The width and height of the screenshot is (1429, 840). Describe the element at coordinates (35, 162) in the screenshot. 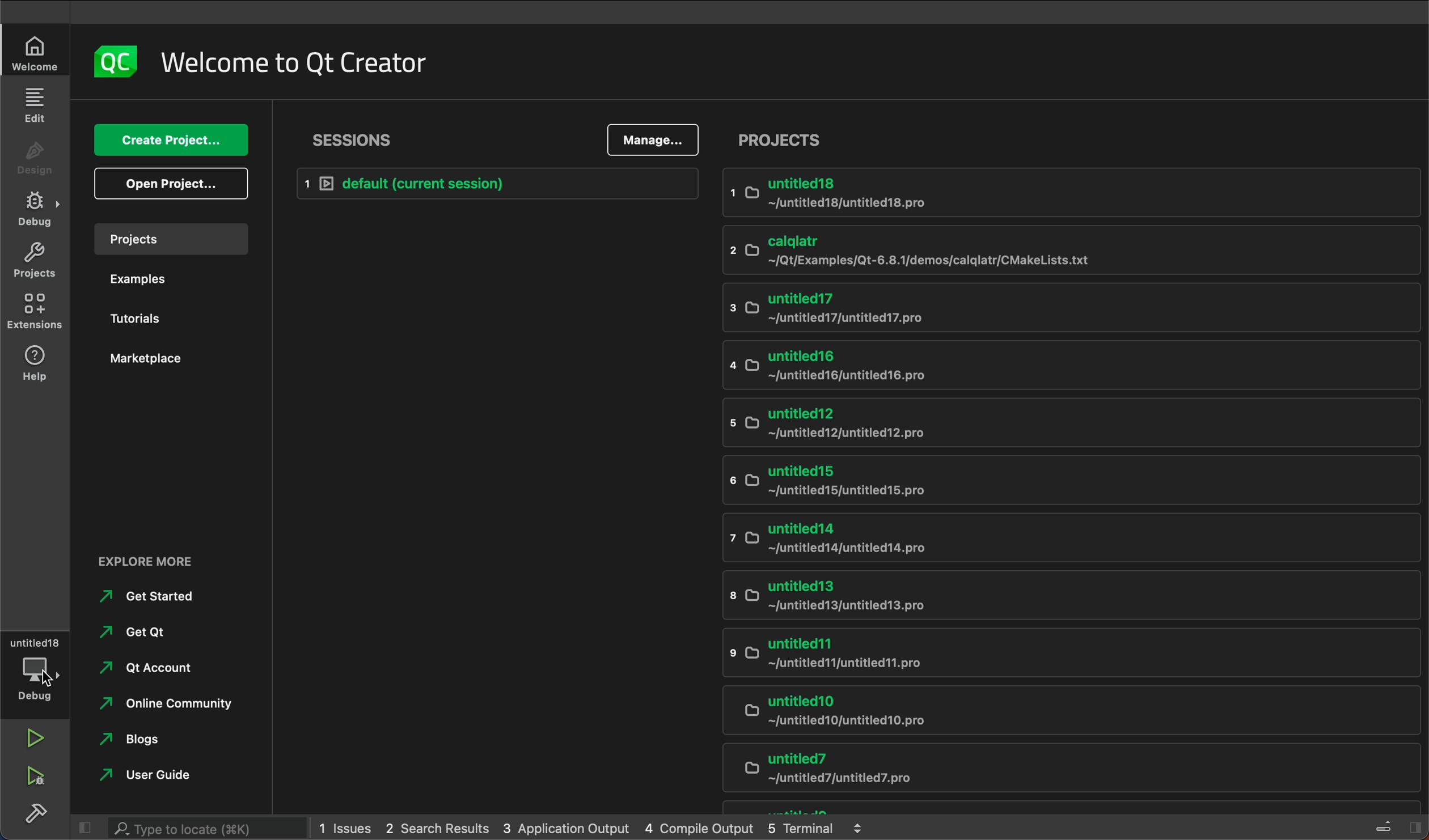

I see `design` at that location.